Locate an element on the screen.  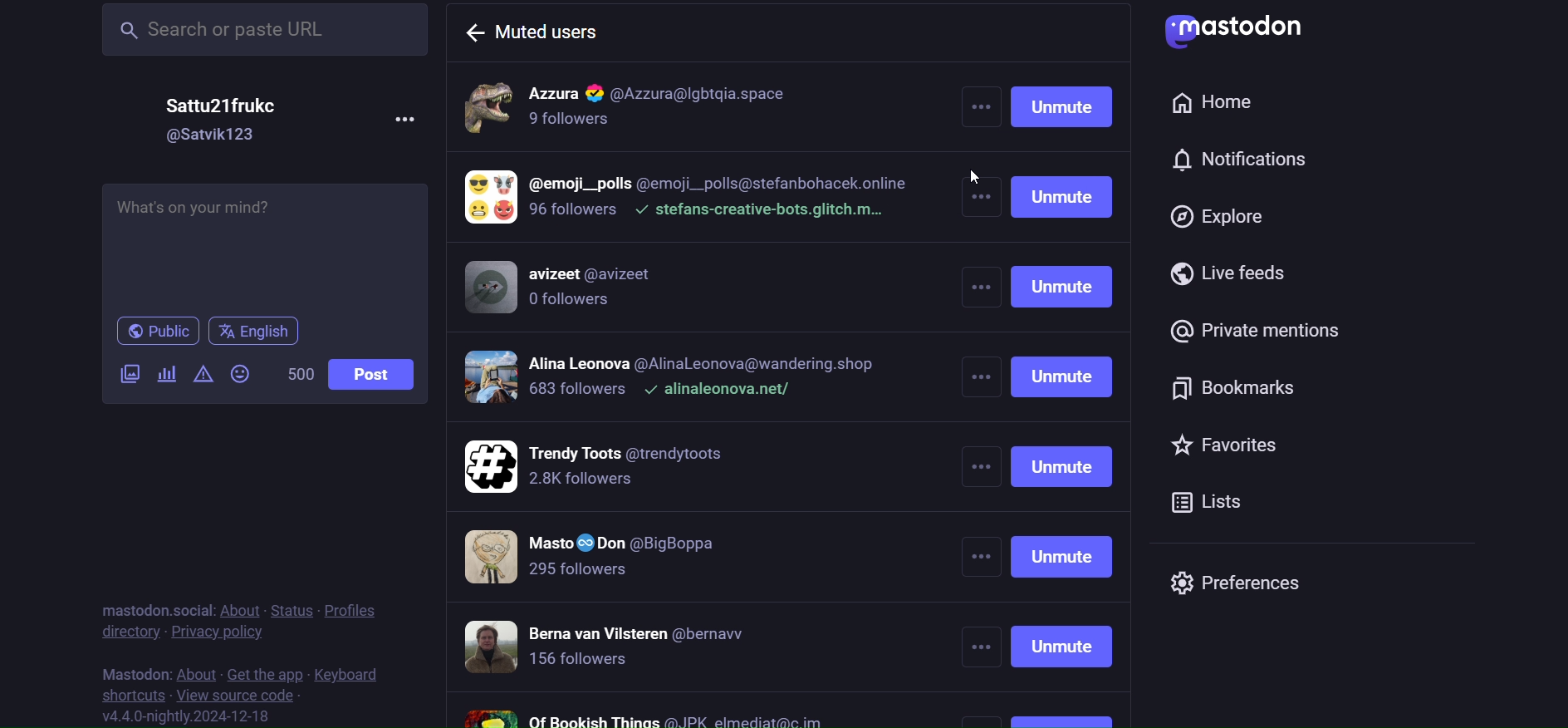
name is located at coordinates (223, 104).